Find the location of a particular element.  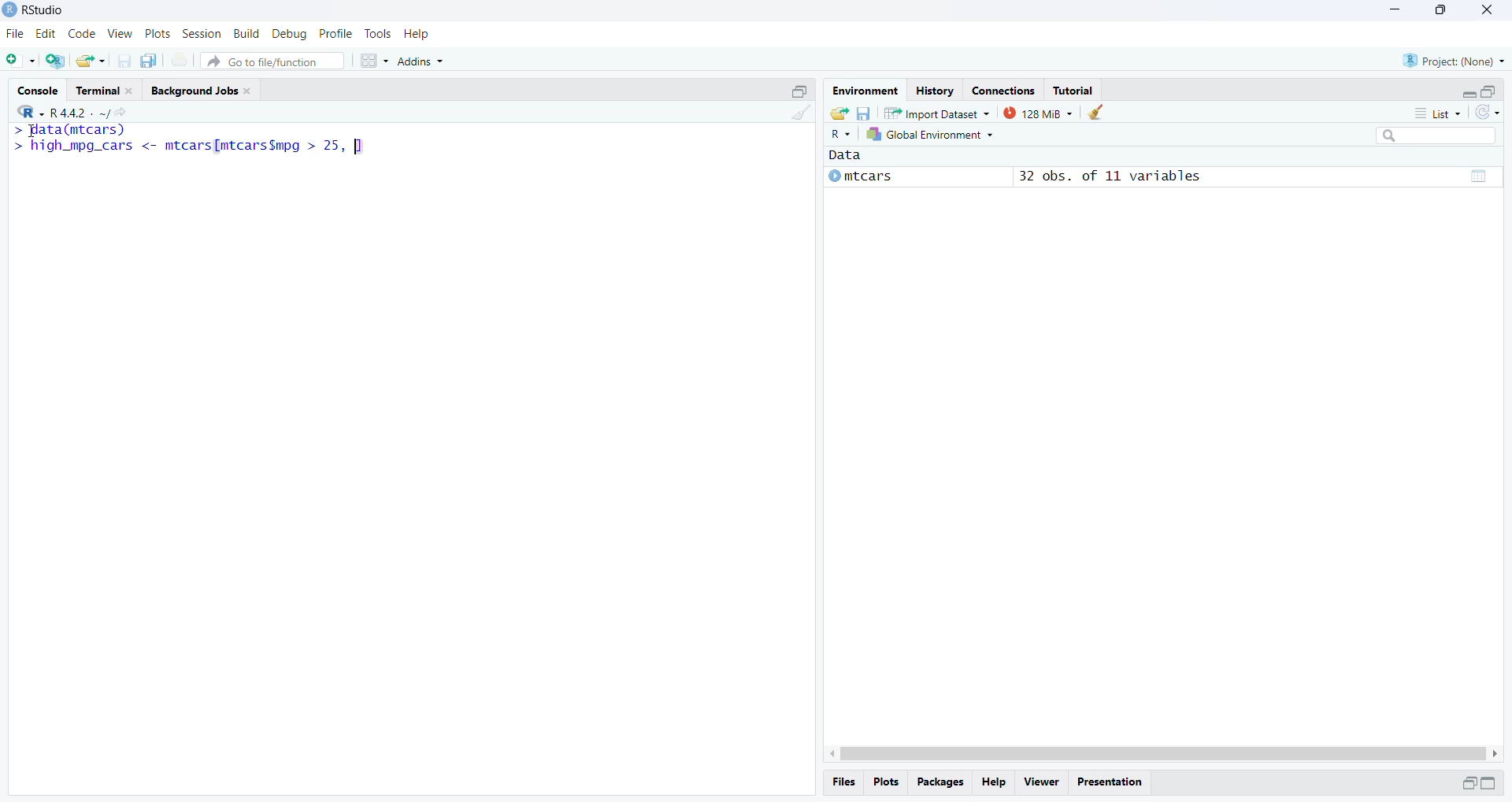

print is located at coordinates (180, 60).